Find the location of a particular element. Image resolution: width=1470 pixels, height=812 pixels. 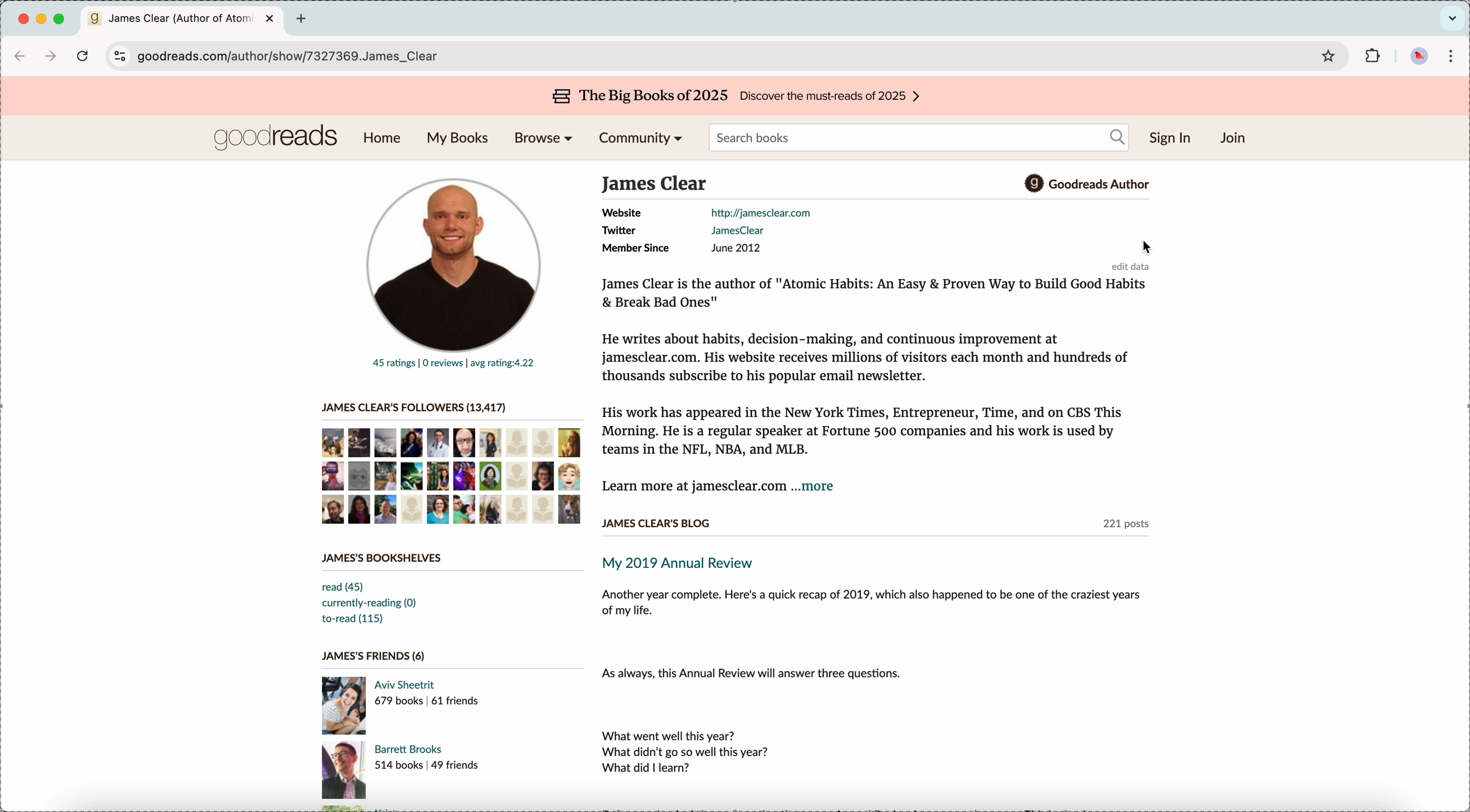

followers is located at coordinates (451, 475).